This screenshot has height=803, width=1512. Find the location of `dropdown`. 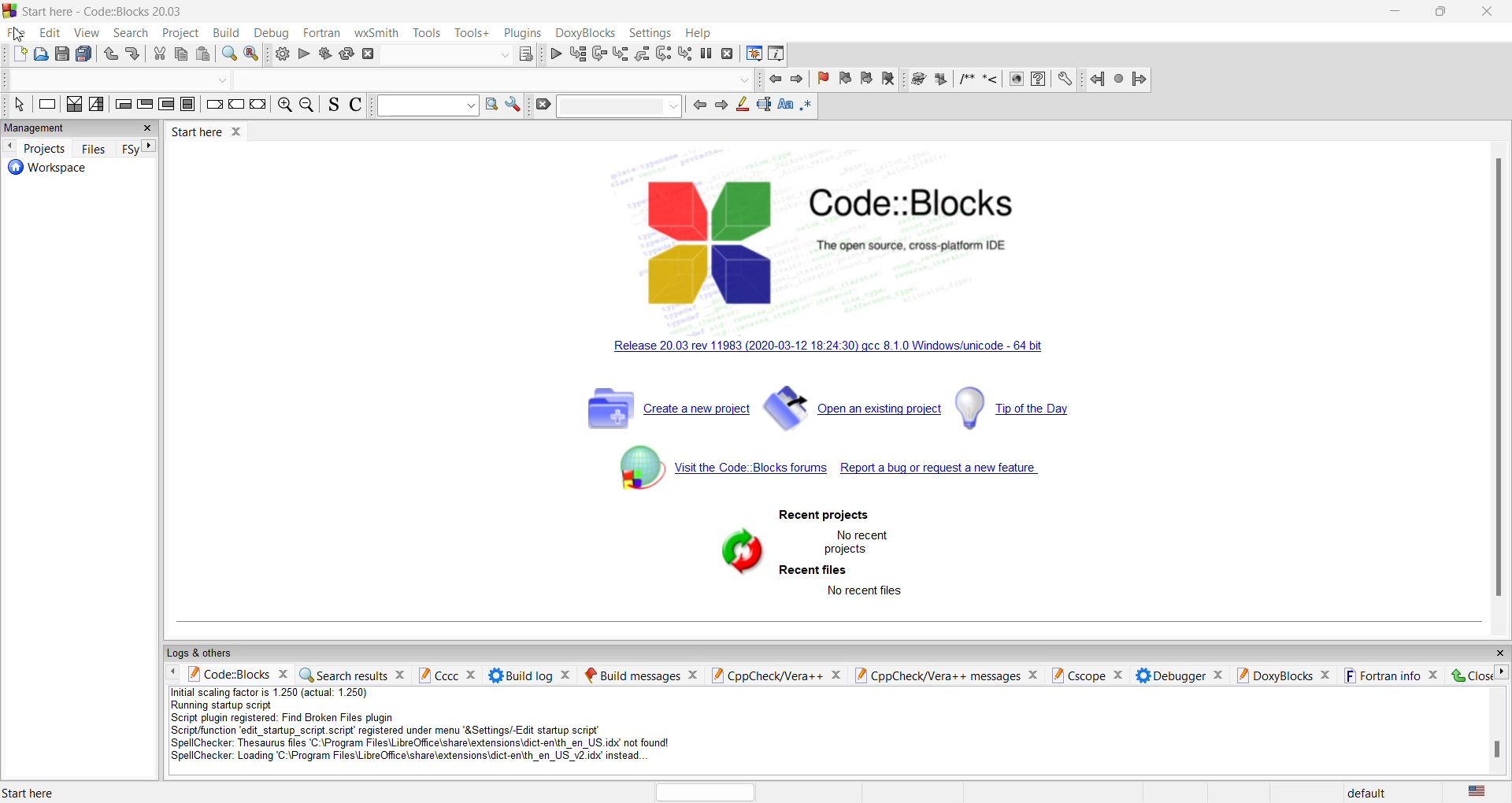

dropdown is located at coordinates (747, 80).